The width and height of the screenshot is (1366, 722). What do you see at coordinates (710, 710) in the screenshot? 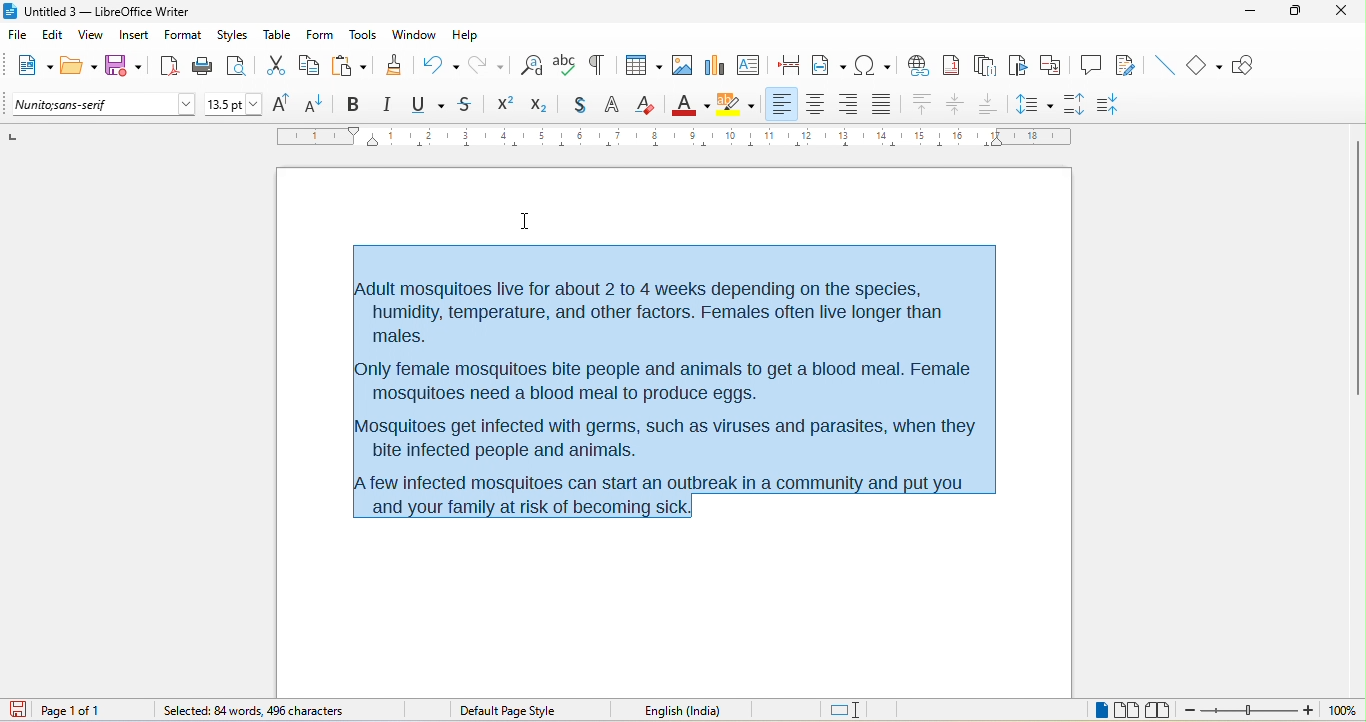
I see `text language` at bounding box center [710, 710].